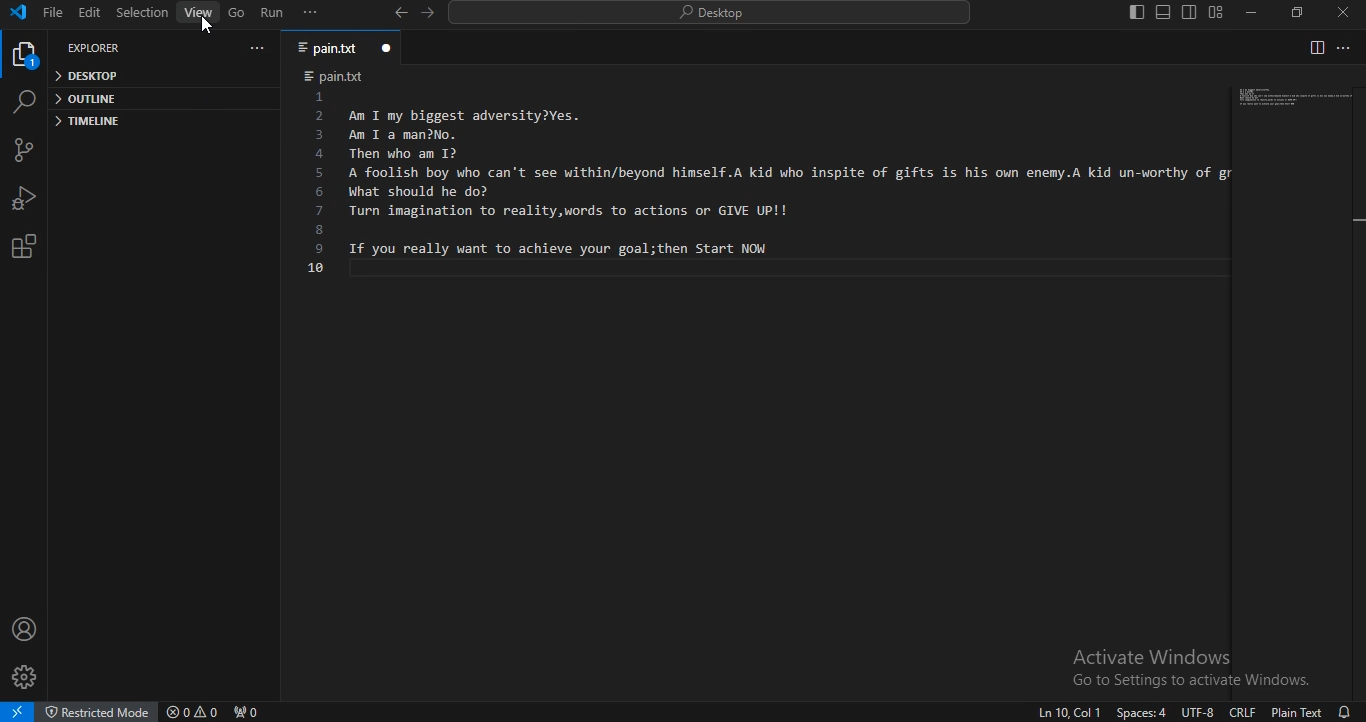  Describe the element at coordinates (97, 48) in the screenshot. I see `explorer` at that location.